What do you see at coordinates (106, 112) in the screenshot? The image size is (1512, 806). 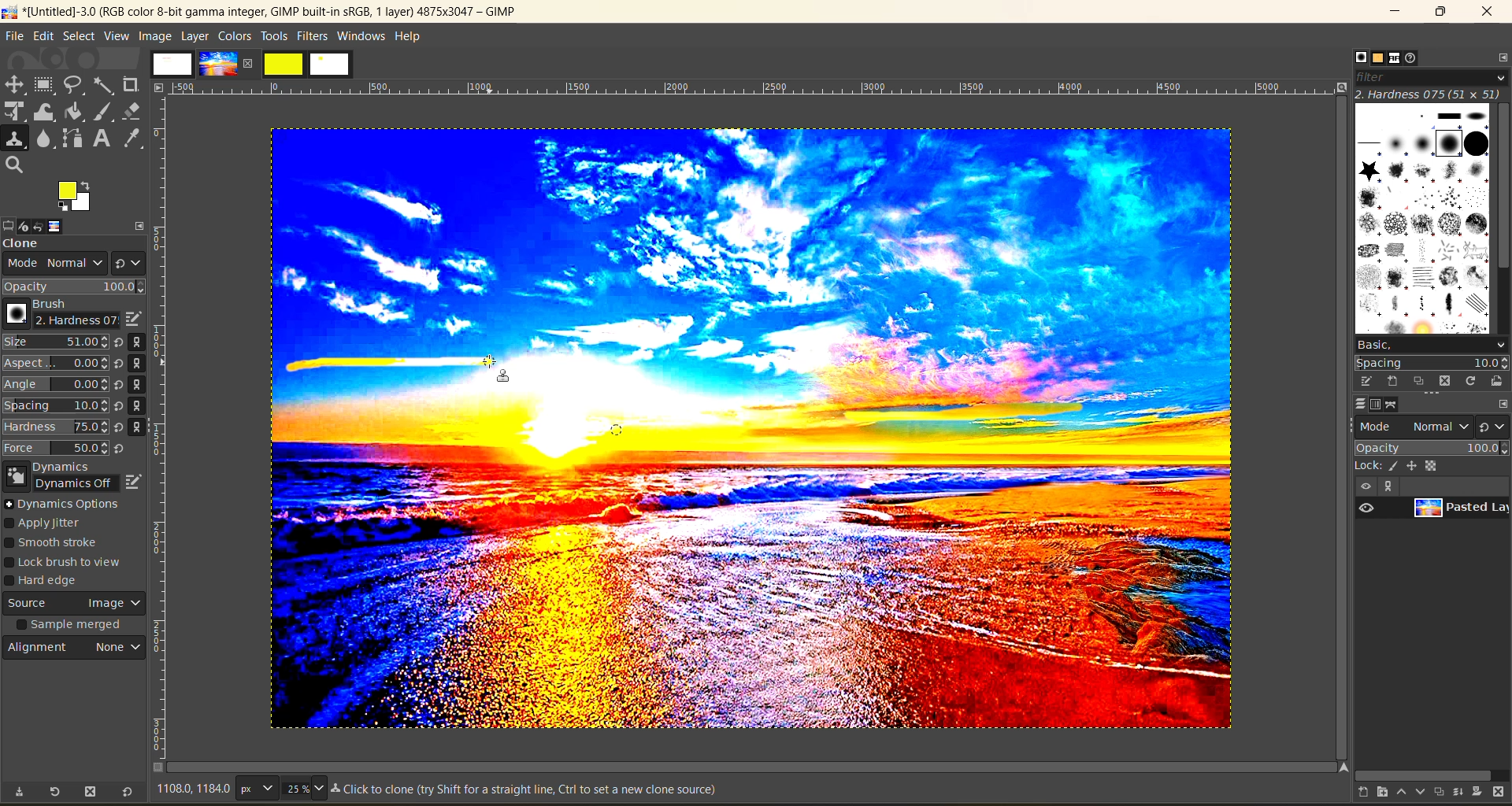 I see `ink tool` at bounding box center [106, 112].